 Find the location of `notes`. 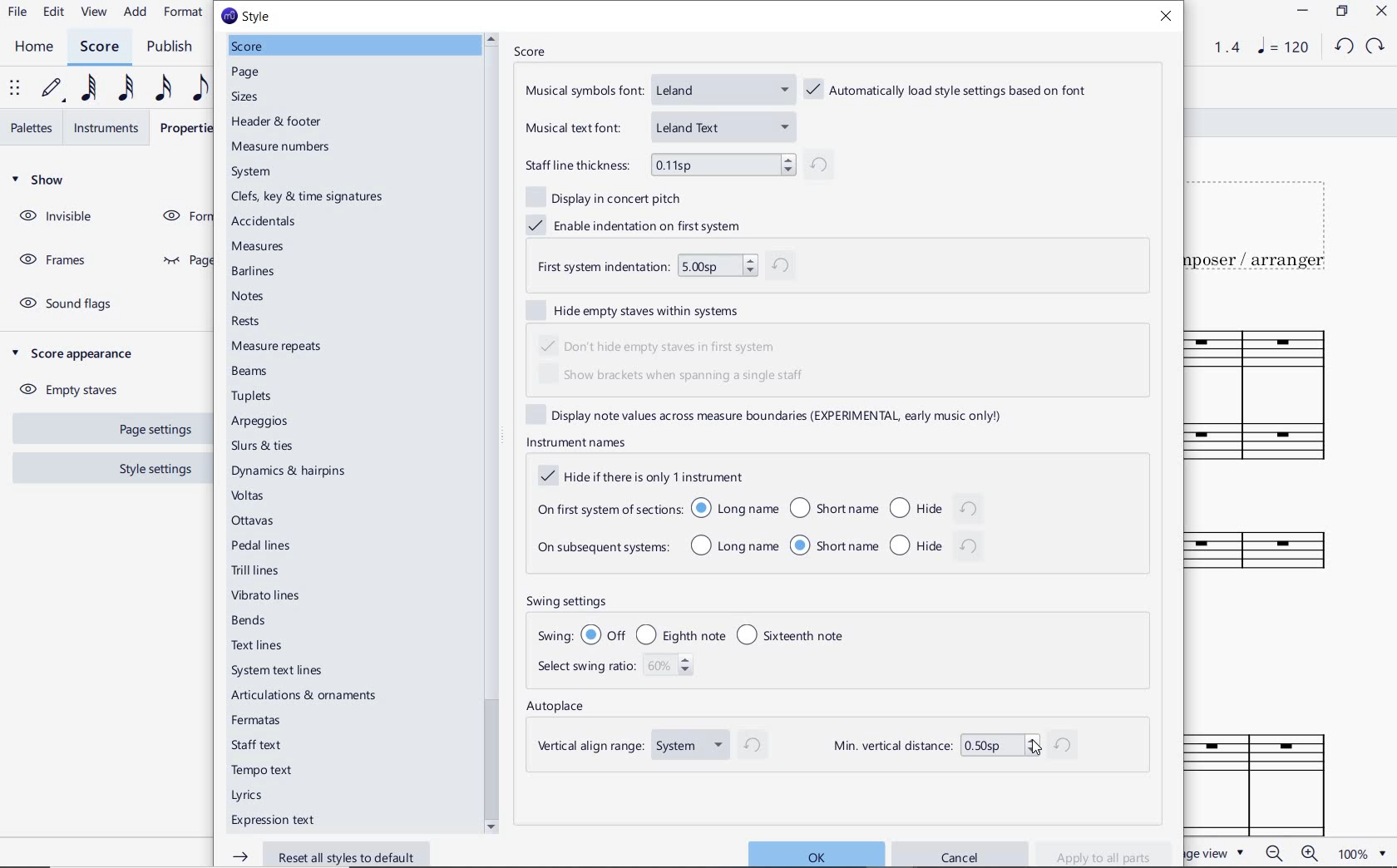

notes is located at coordinates (248, 296).